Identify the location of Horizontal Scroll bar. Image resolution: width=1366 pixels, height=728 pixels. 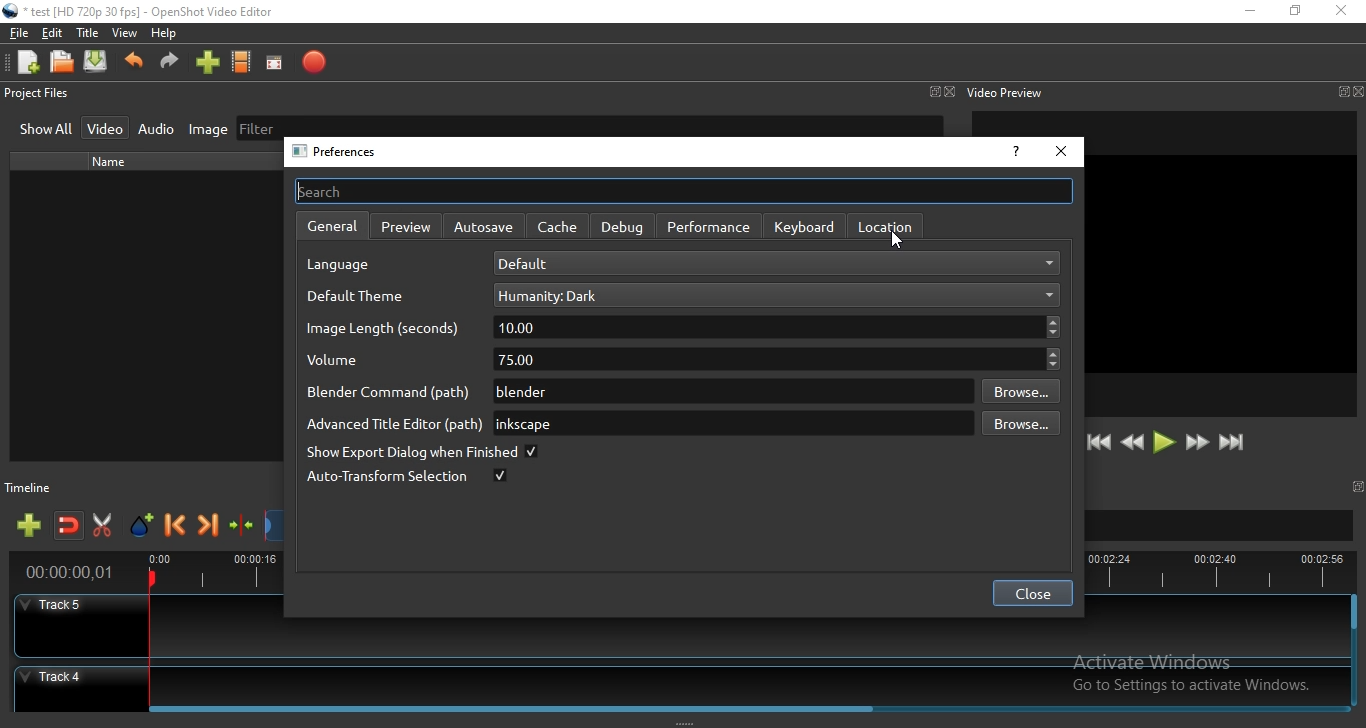
(748, 706).